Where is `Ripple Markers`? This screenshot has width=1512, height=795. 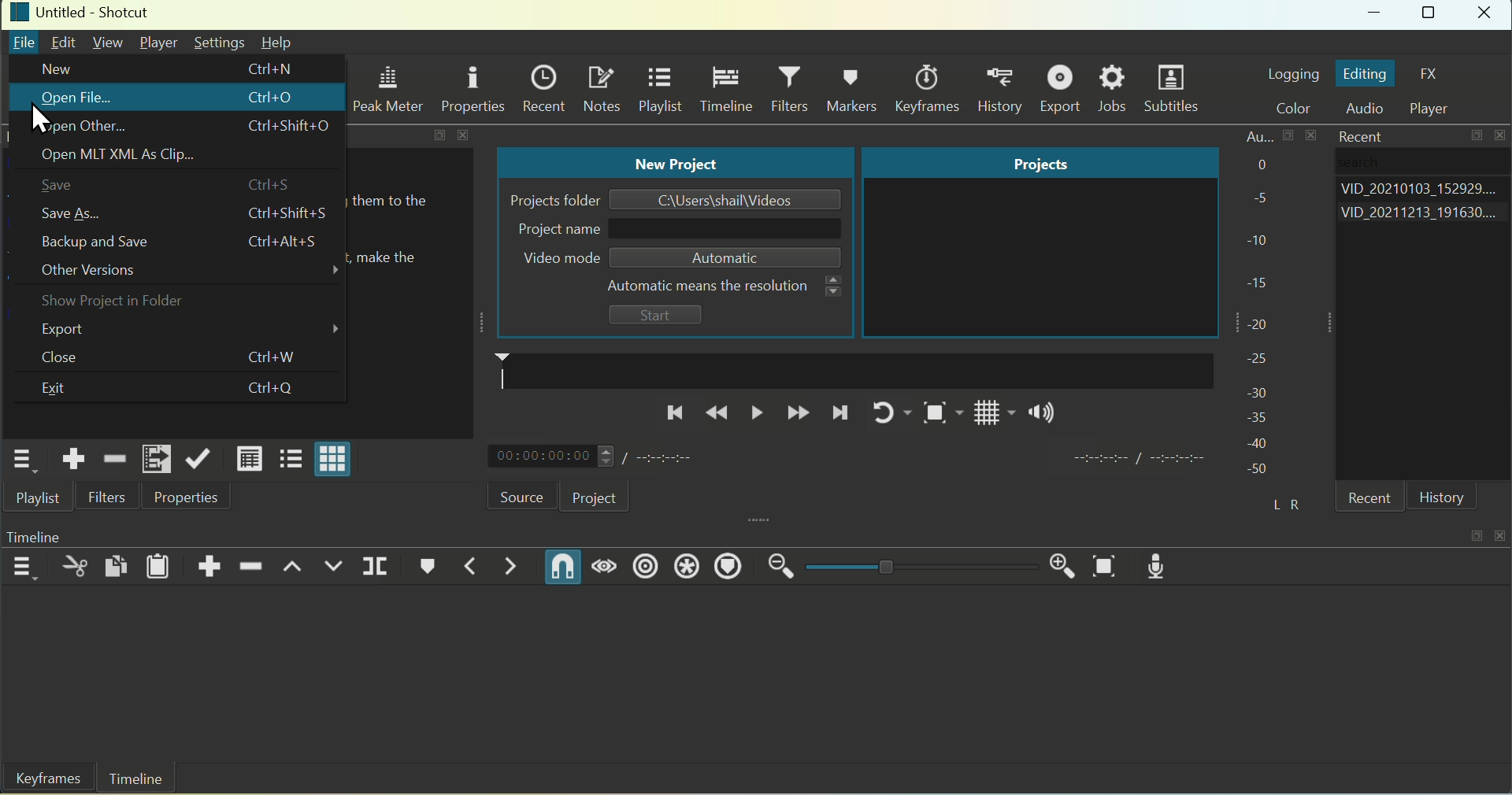 Ripple Markers is located at coordinates (733, 568).